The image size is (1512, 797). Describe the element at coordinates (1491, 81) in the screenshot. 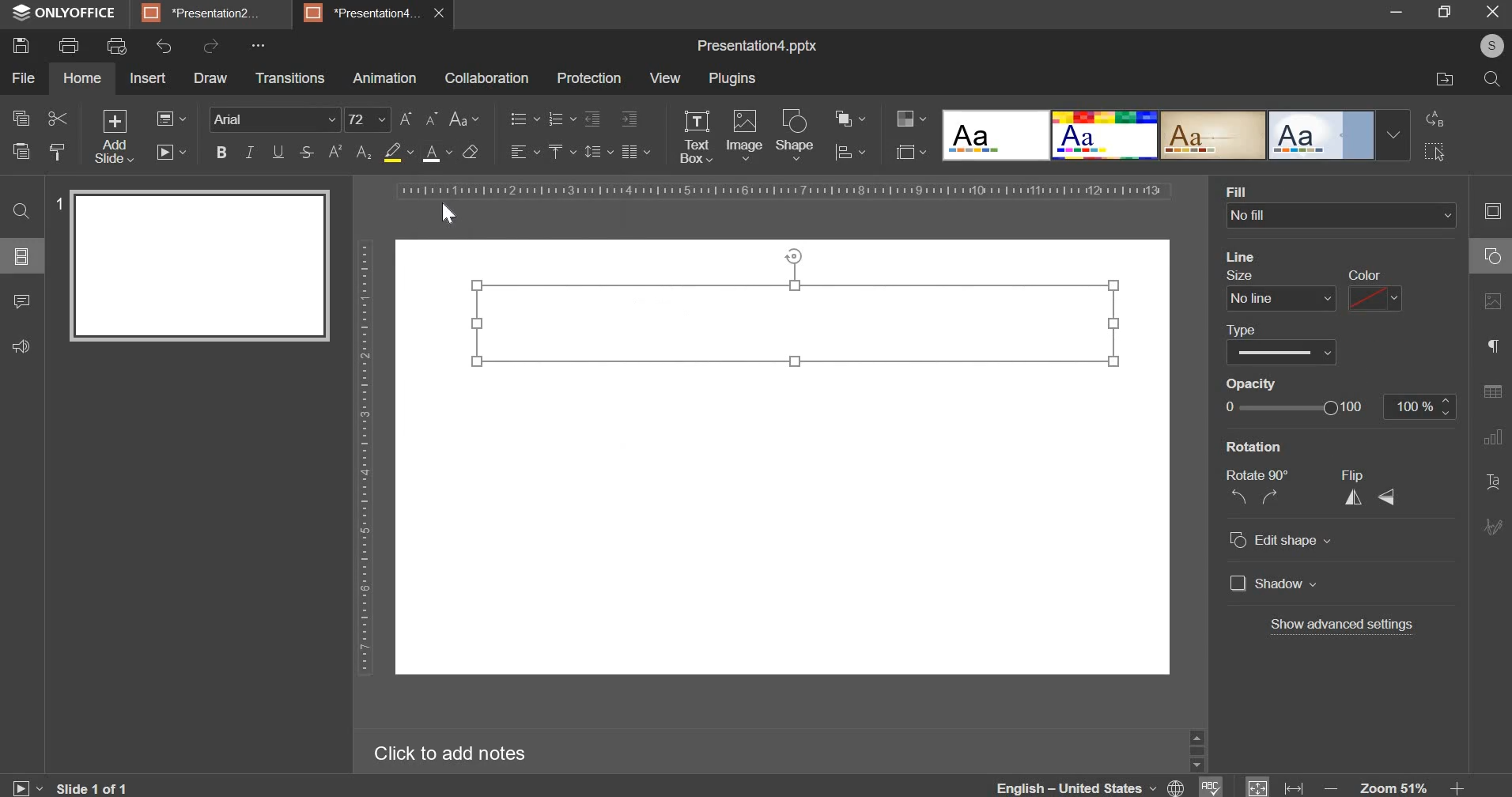

I see `Search` at that location.